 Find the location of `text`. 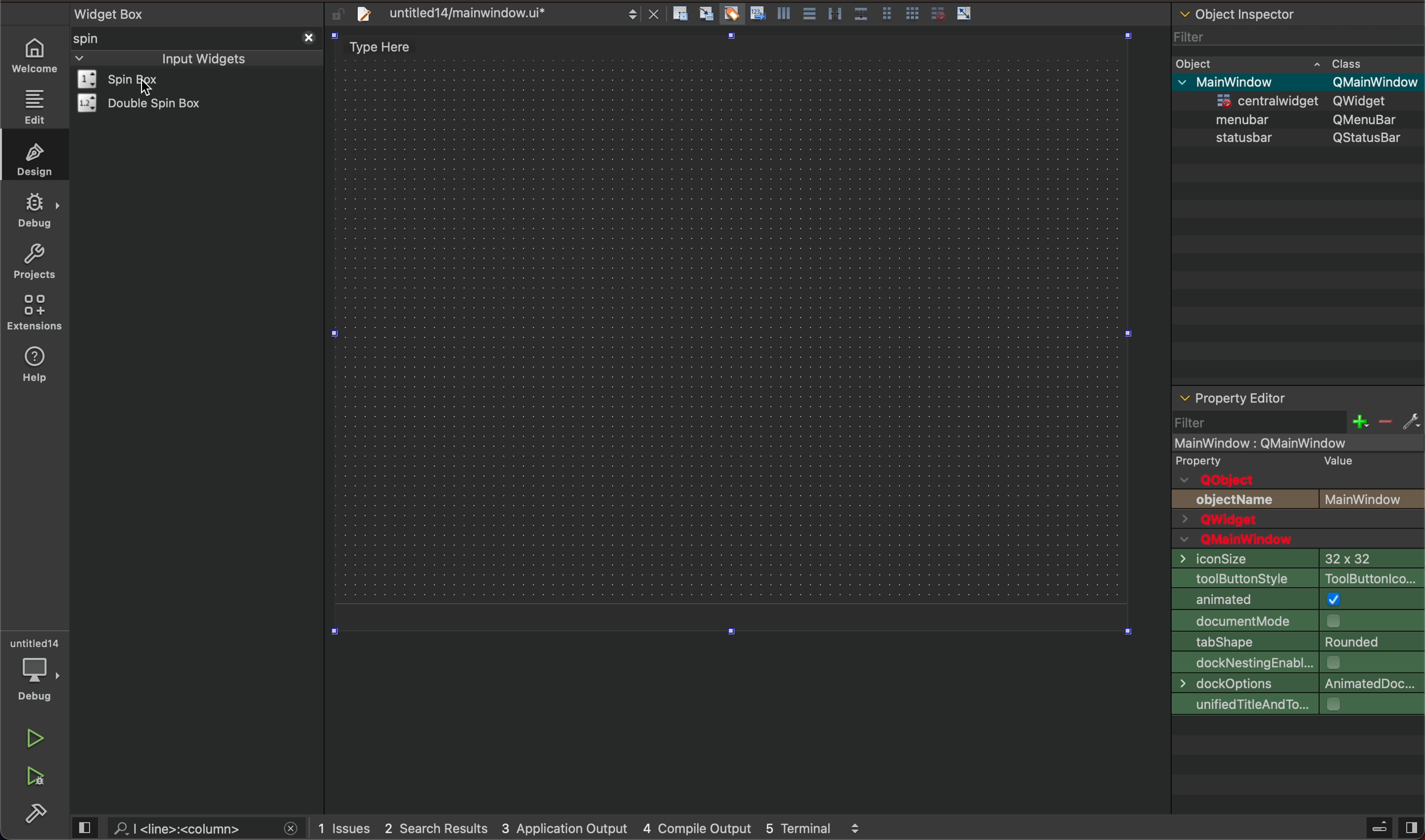

text is located at coordinates (1373, 499).